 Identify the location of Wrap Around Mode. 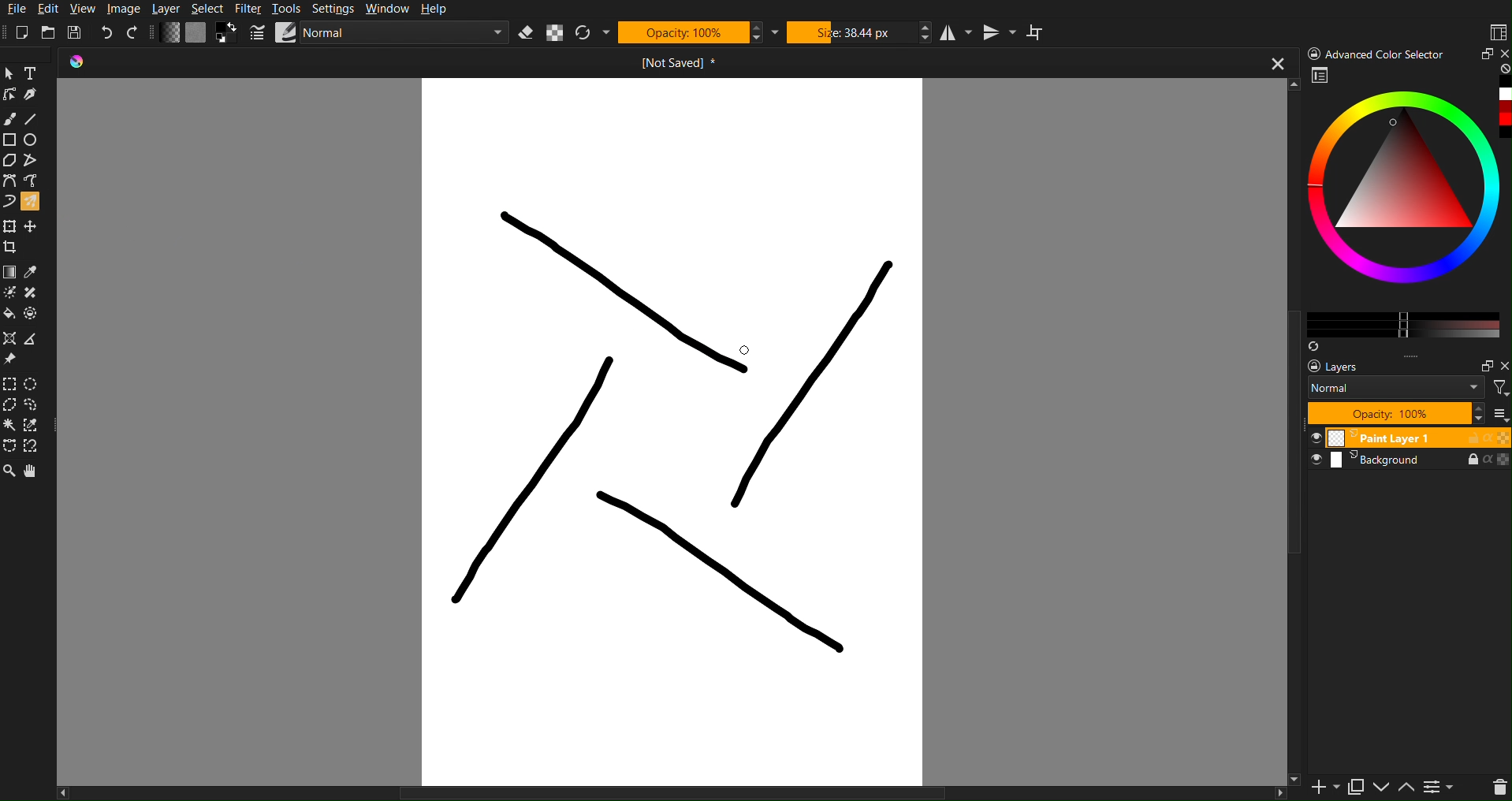
(1039, 32).